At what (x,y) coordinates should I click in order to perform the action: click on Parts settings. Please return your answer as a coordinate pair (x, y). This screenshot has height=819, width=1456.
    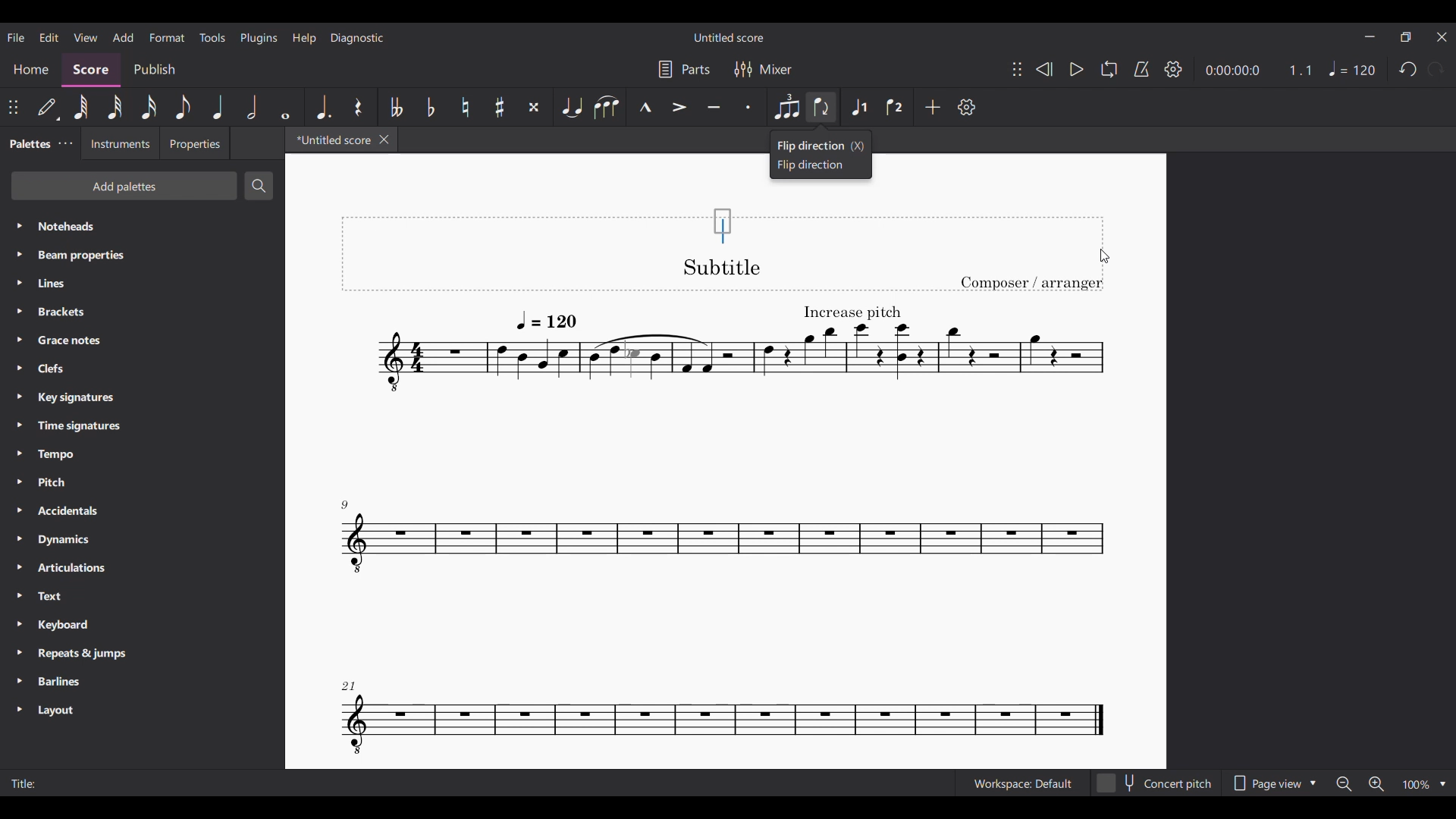
    Looking at the image, I should click on (684, 69).